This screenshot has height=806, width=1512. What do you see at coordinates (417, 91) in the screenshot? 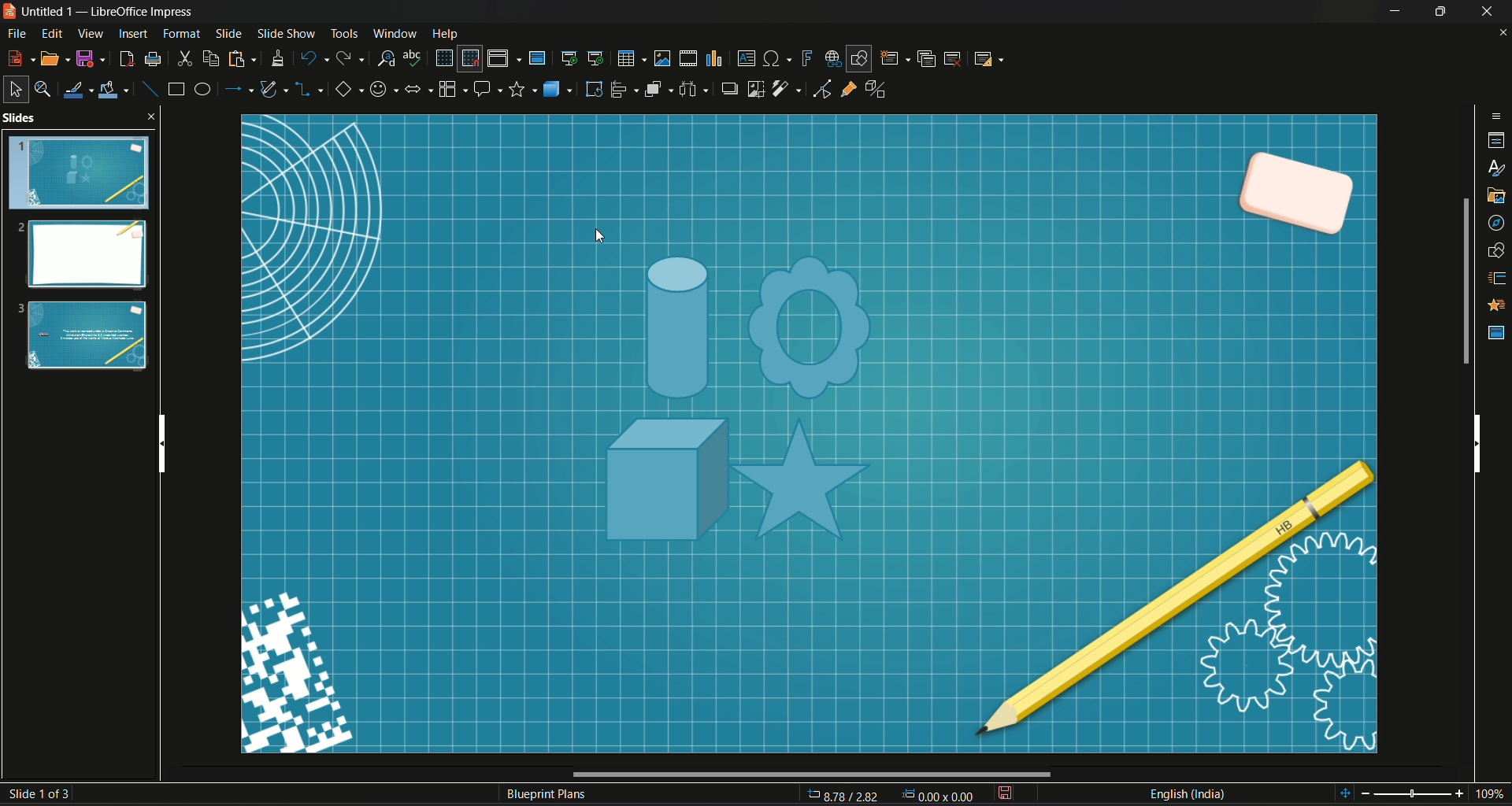
I see `block arrows` at bounding box center [417, 91].